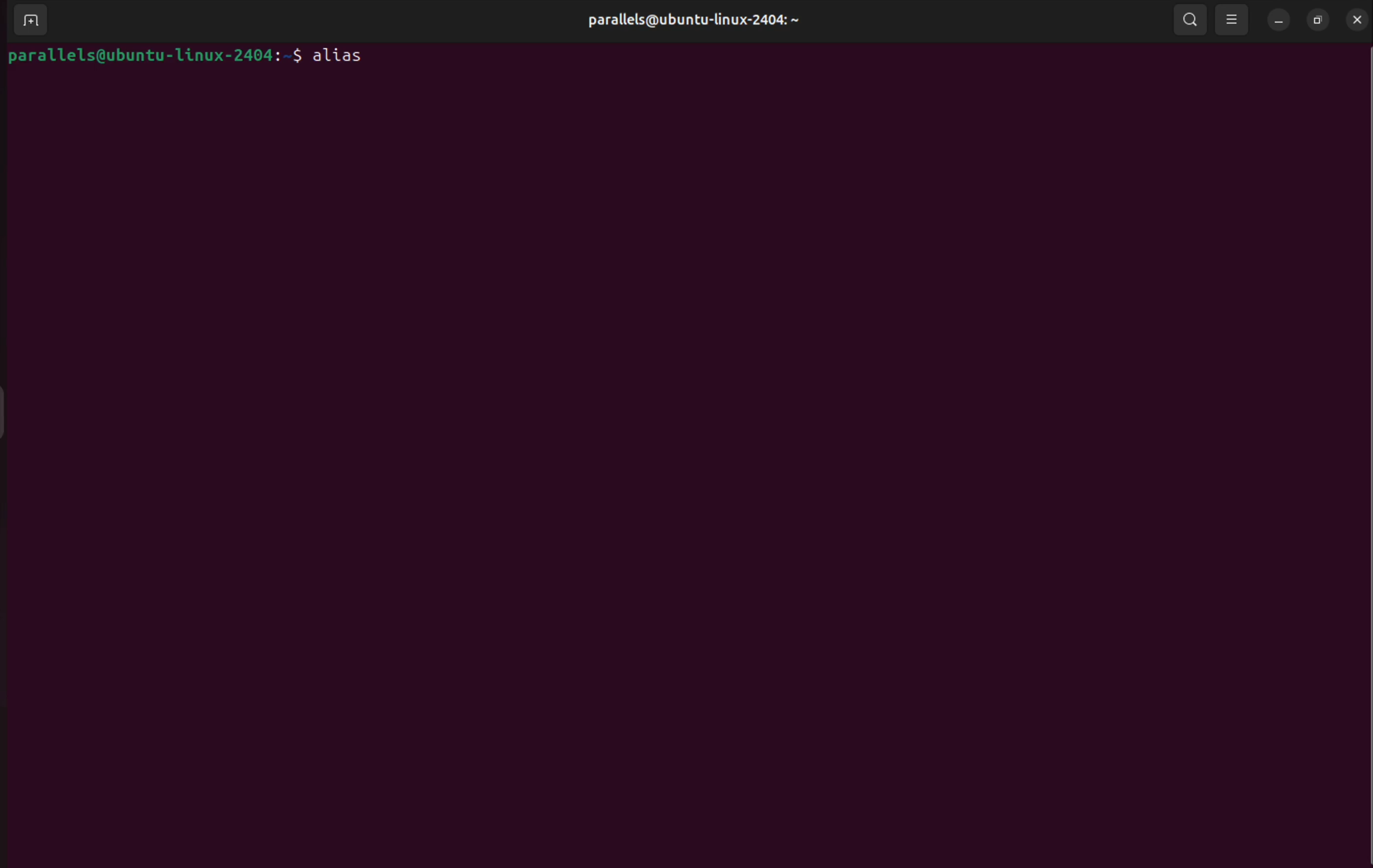  I want to click on view options, so click(1234, 21).